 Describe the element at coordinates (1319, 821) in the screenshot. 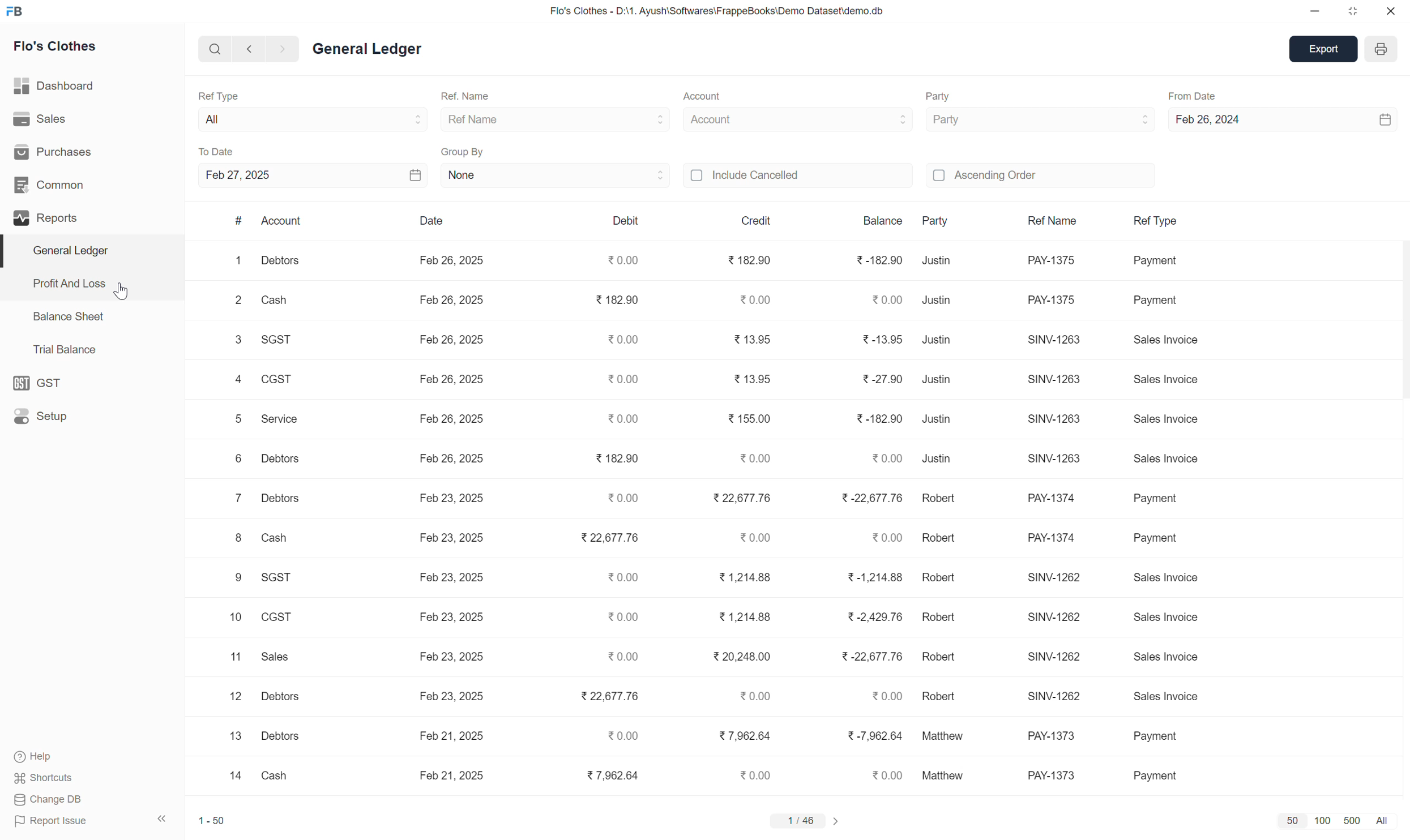

I see `100` at that location.